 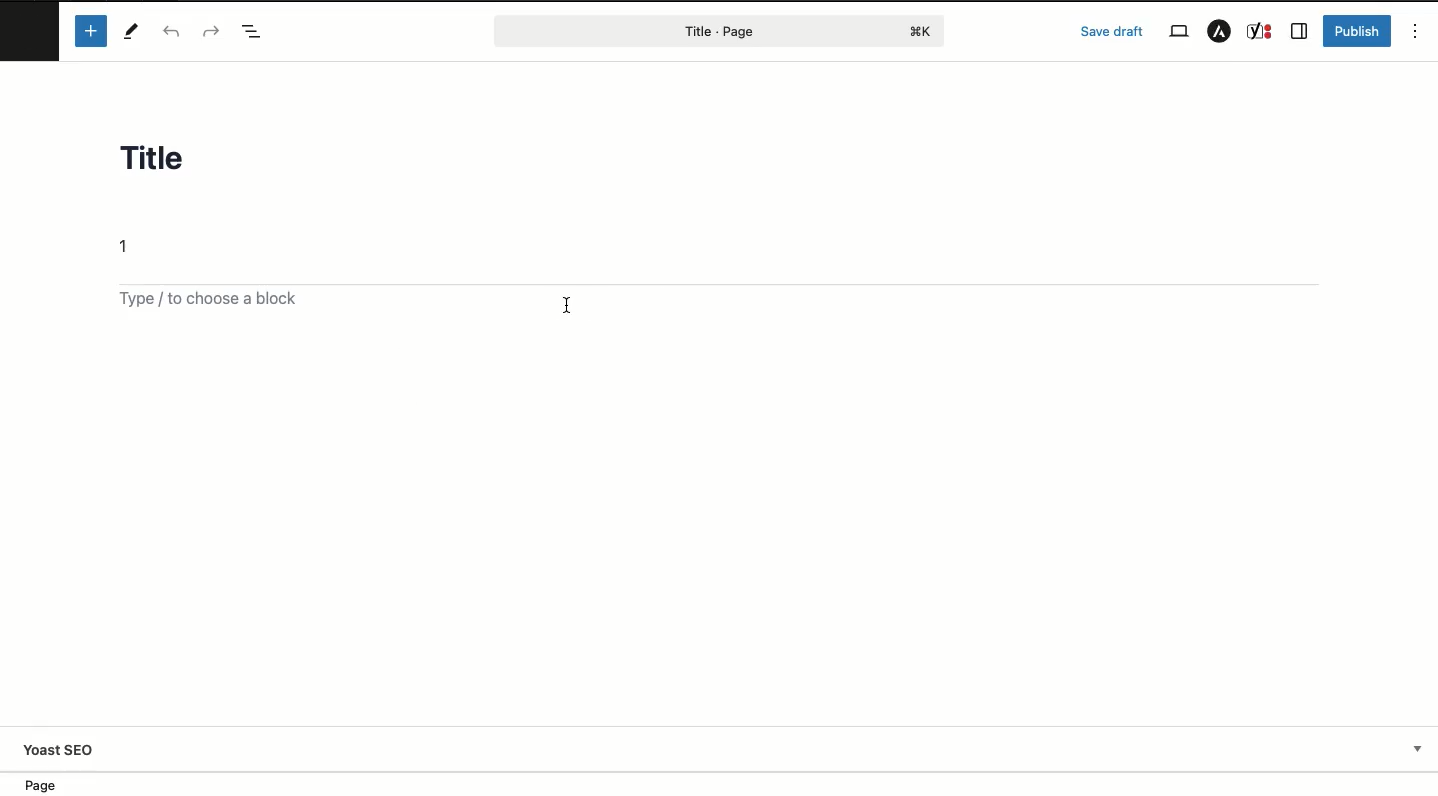 I want to click on Save draft, so click(x=1112, y=31).